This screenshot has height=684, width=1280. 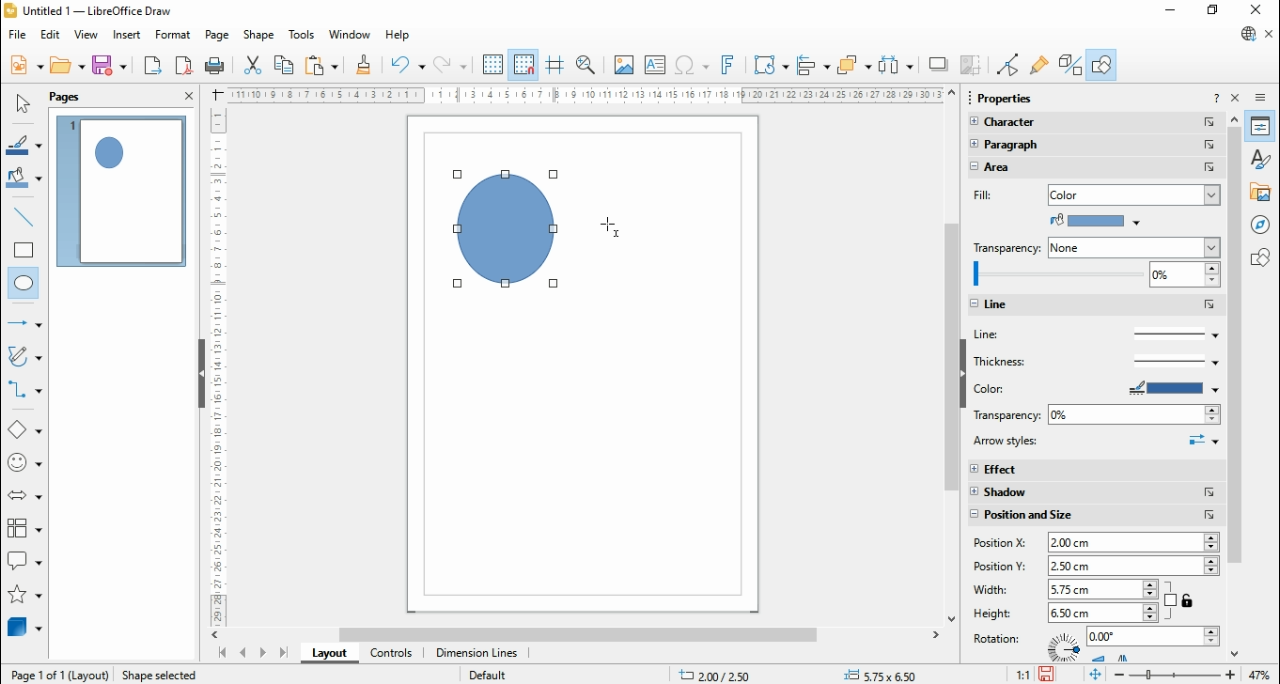 What do you see at coordinates (1030, 389) in the screenshot?
I see `color` at bounding box center [1030, 389].